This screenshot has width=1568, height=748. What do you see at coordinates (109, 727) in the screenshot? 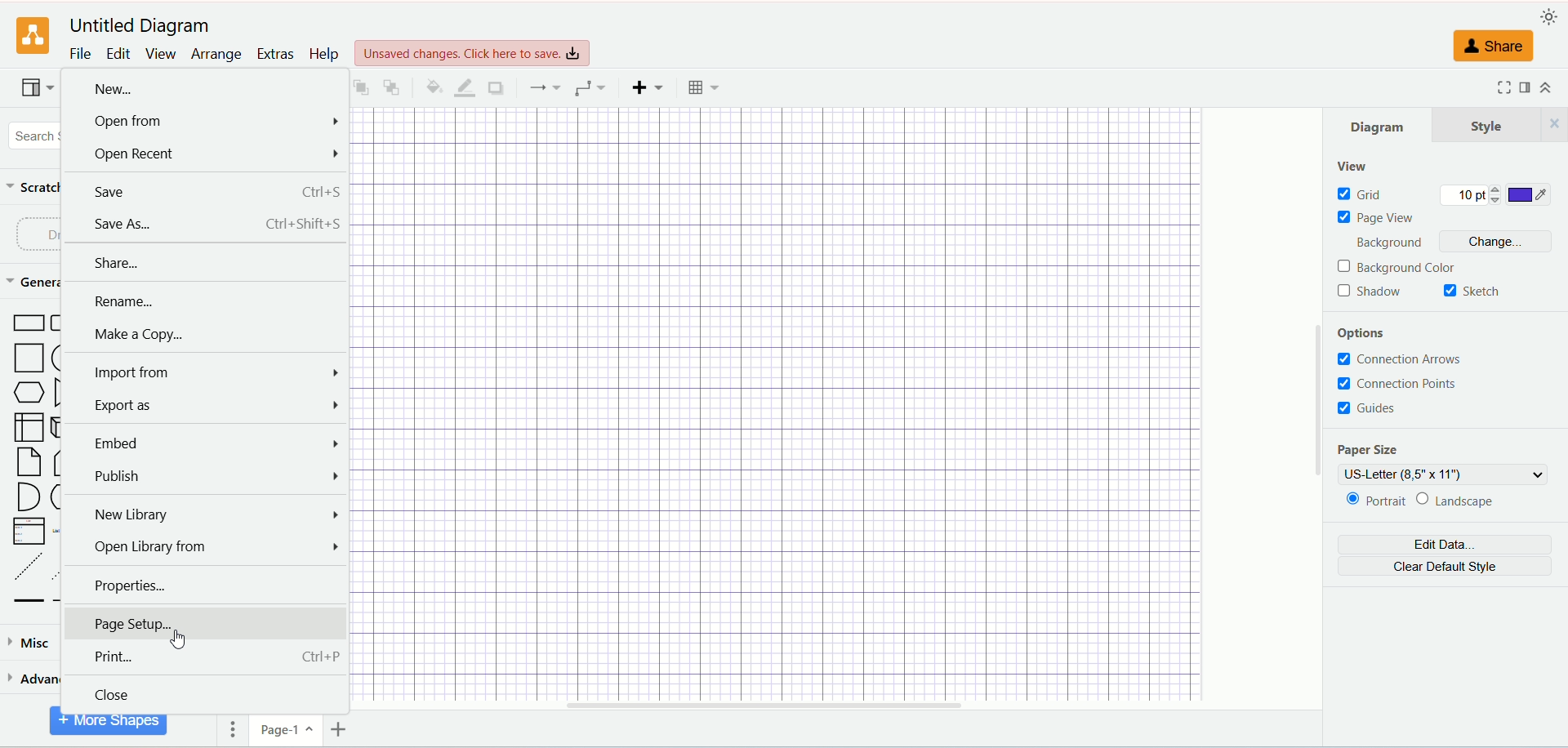
I see `more shapes` at bounding box center [109, 727].